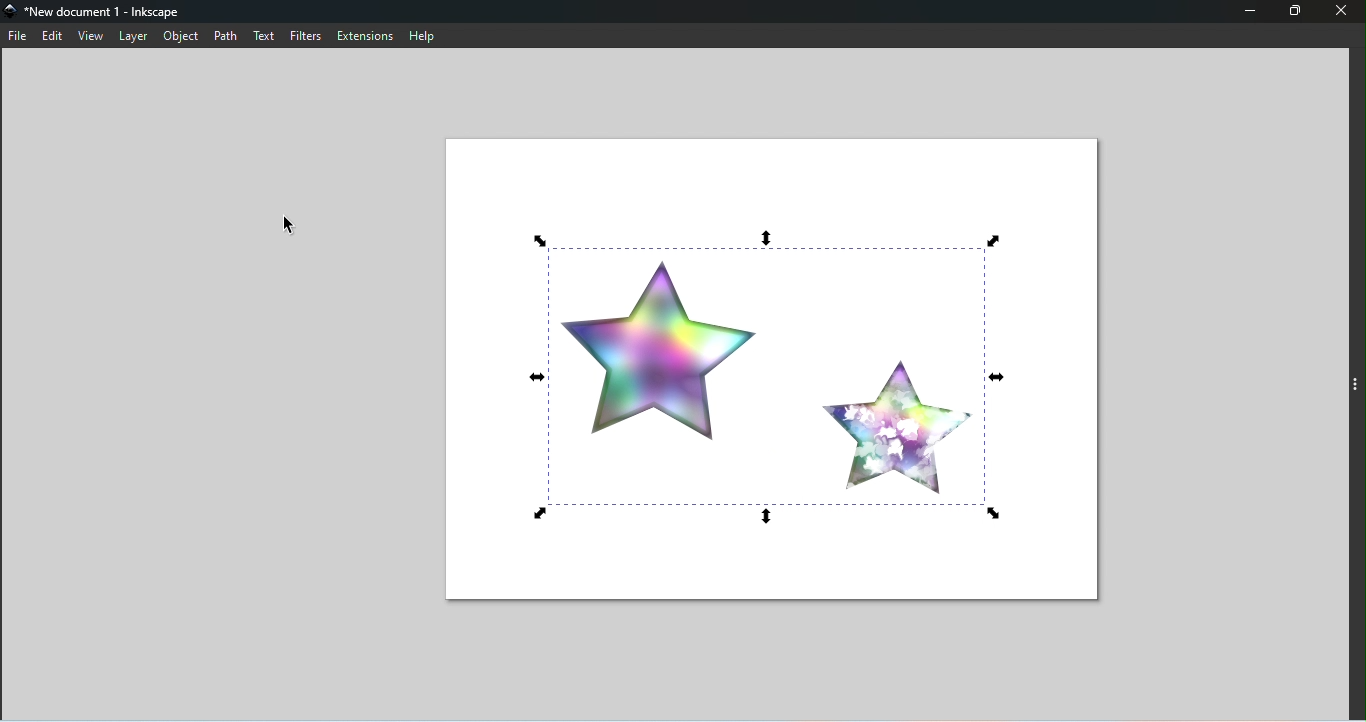  What do you see at coordinates (91, 36) in the screenshot?
I see `View` at bounding box center [91, 36].